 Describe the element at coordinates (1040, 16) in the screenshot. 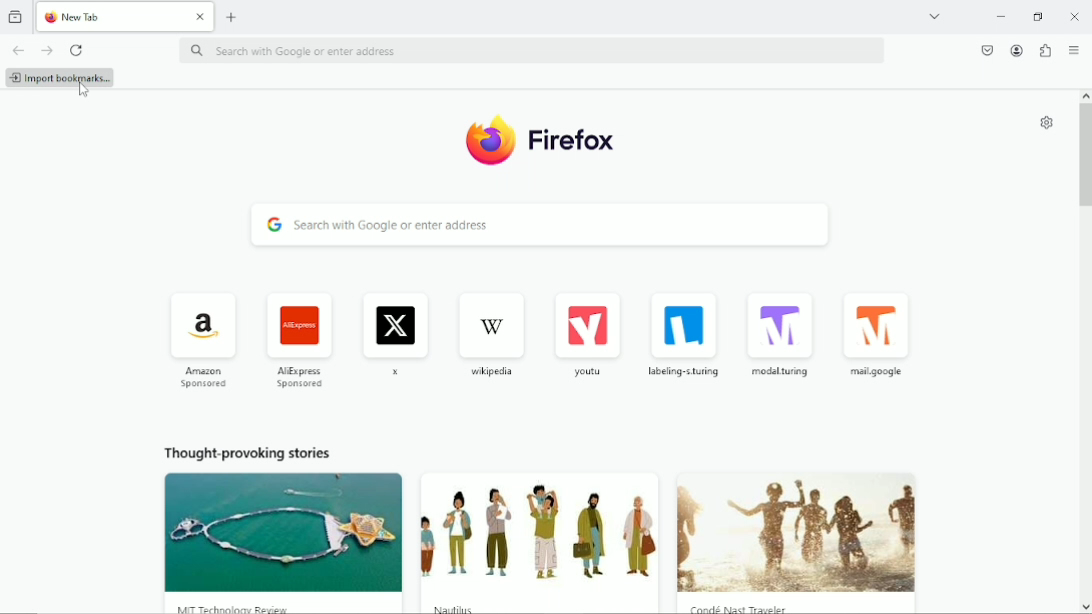

I see `Restore down` at that location.